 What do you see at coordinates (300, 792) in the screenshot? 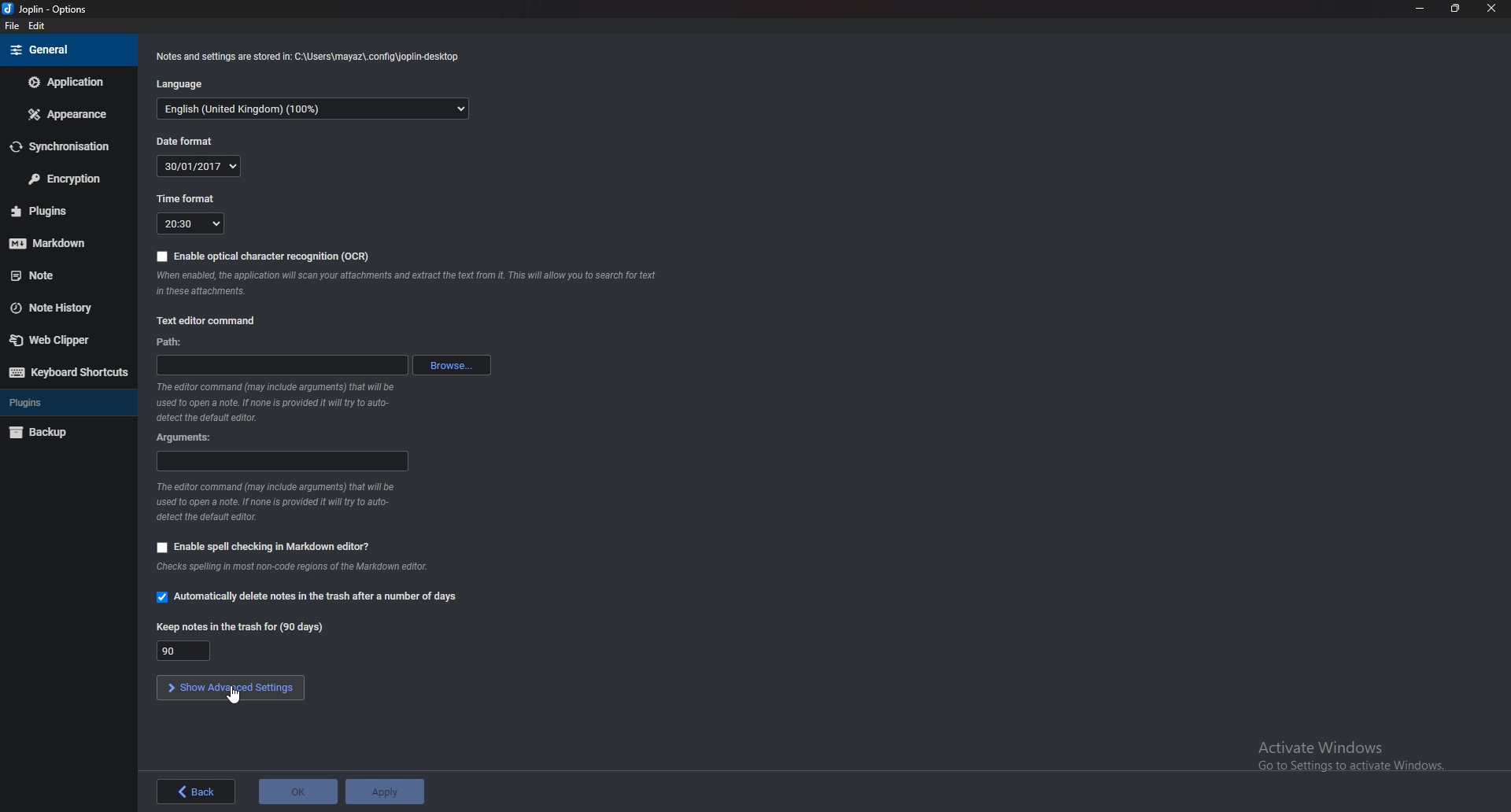
I see `ok` at bounding box center [300, 792].